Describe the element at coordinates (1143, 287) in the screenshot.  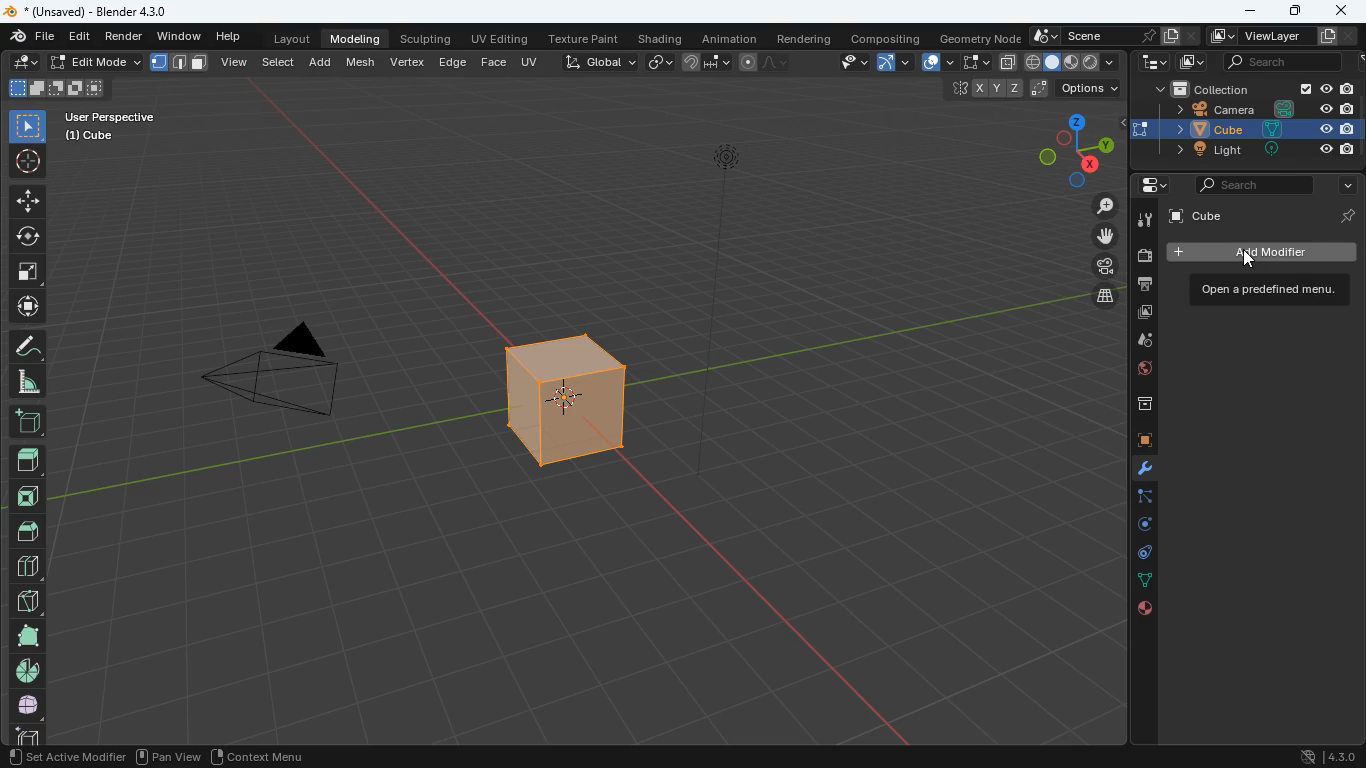
I see `print` at that location.